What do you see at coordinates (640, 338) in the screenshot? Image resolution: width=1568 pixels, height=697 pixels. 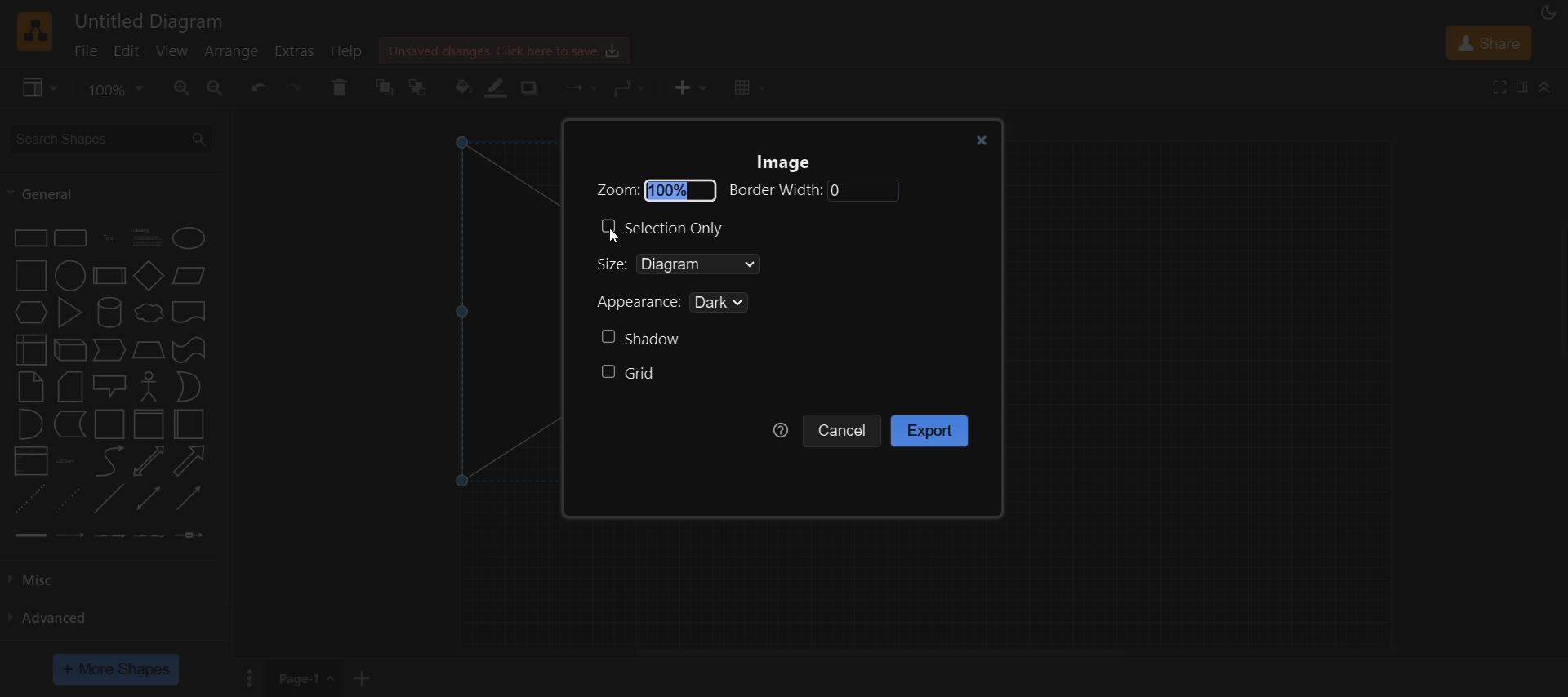 I see `shadow` at bounding box center [640, 338].